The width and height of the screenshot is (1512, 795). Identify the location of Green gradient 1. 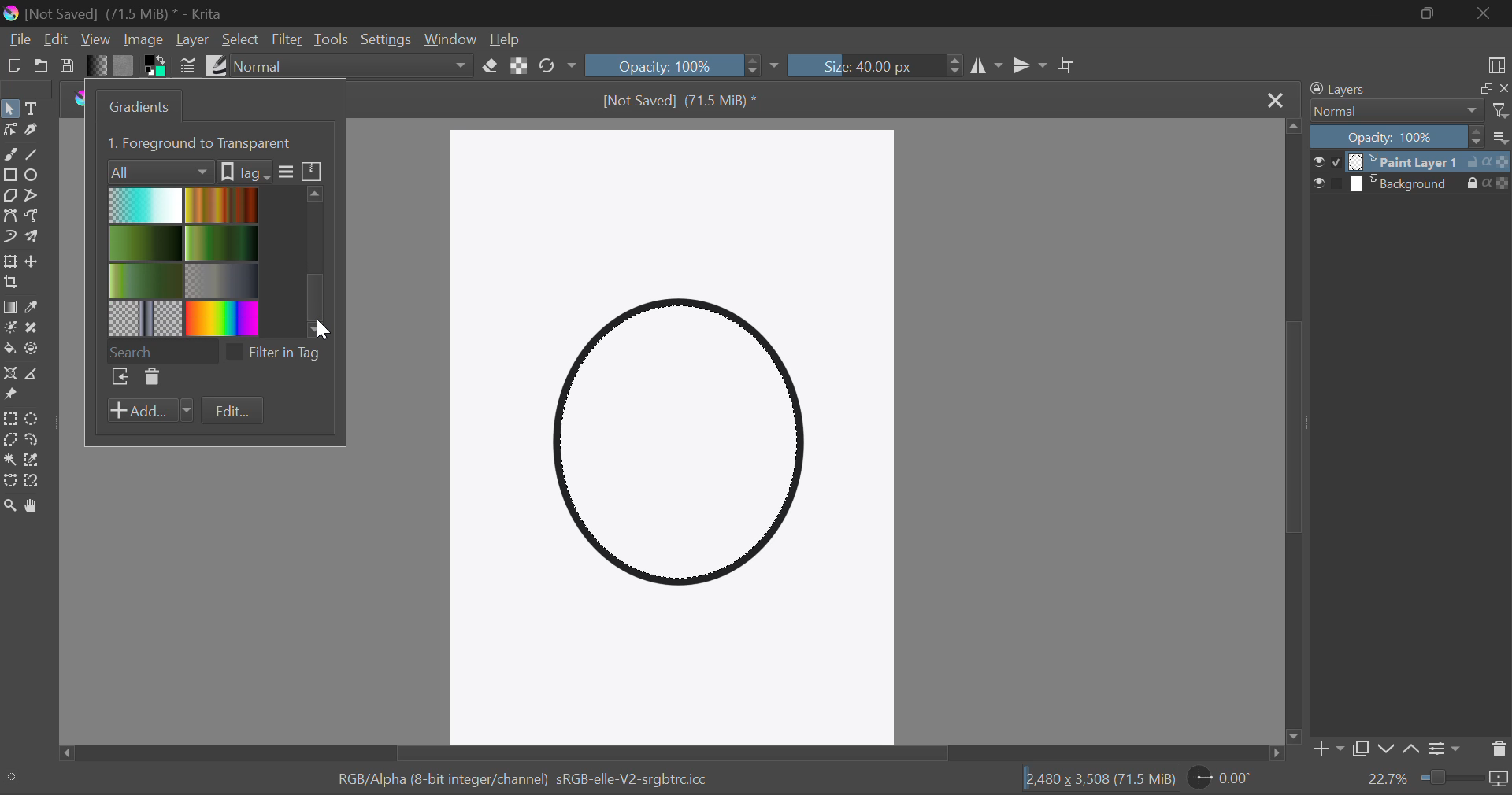
(224, 244).